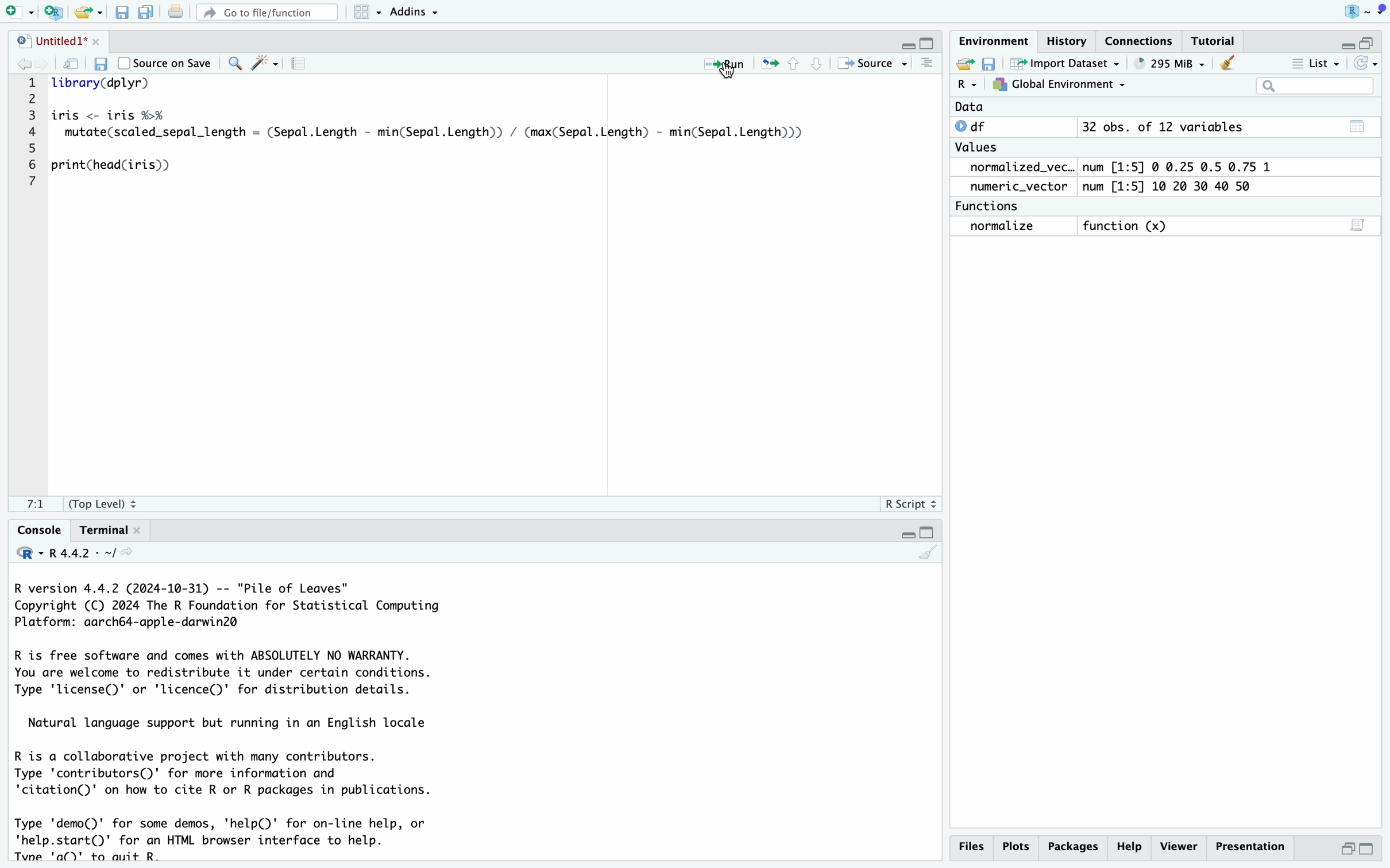  Describe the element at coordinates (15, 10) in the screenshot. I see `New Page` at that location.